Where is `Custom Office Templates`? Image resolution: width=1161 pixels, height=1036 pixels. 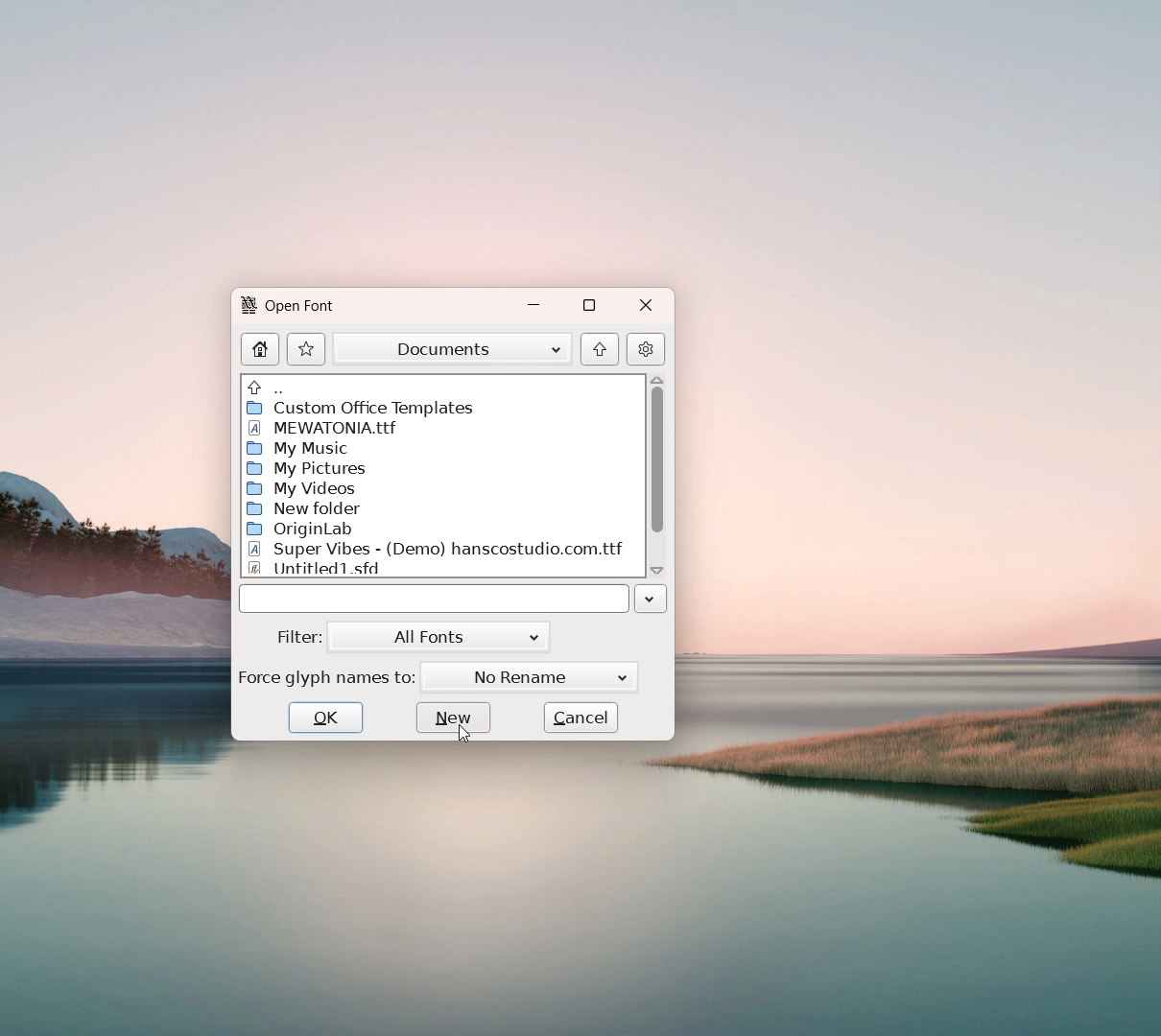 Custom Office Templates is located at coordinates (361, 408).